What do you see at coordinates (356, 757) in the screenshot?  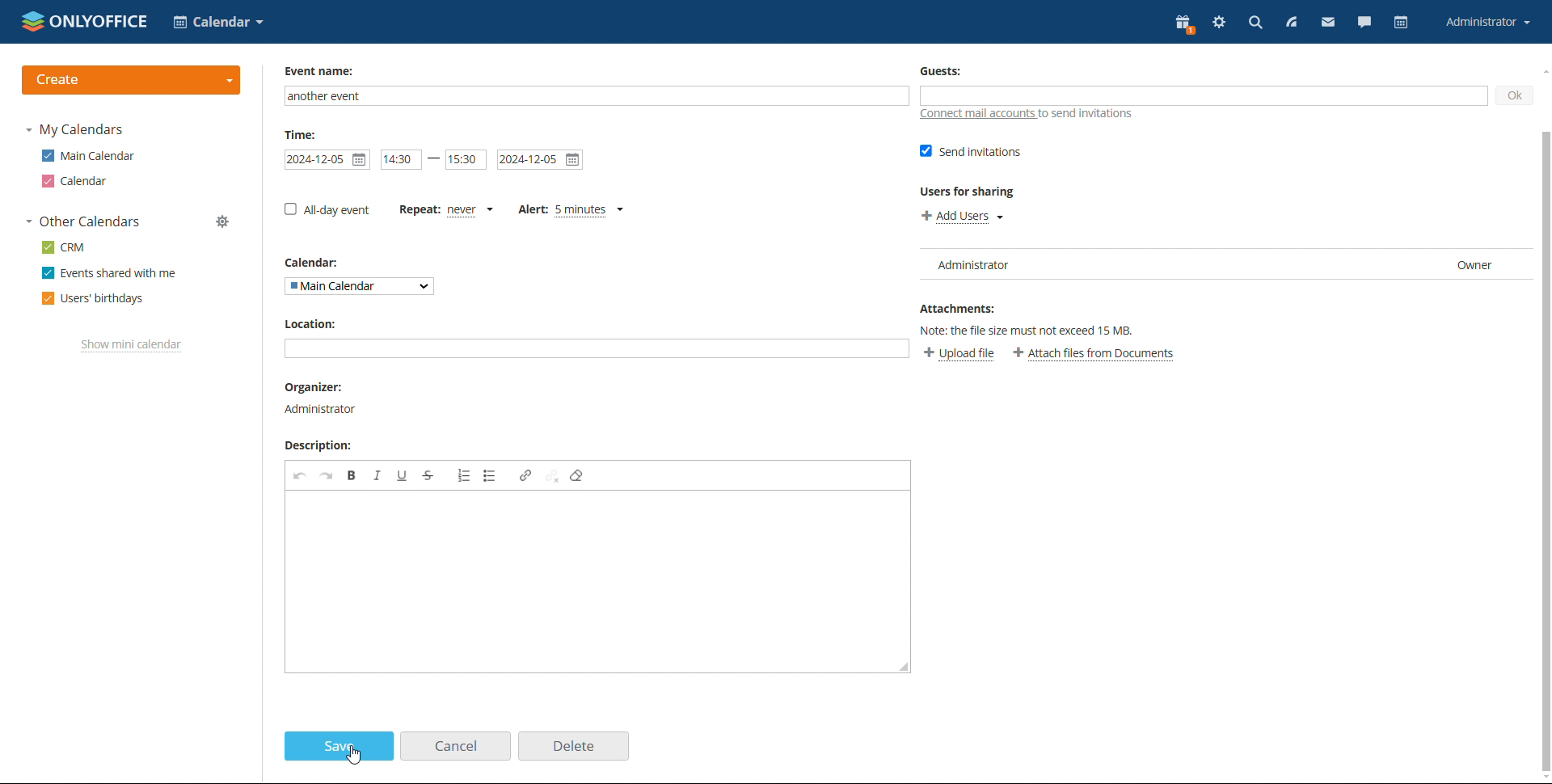 I see `cursor` at bounding box center [356, 757].